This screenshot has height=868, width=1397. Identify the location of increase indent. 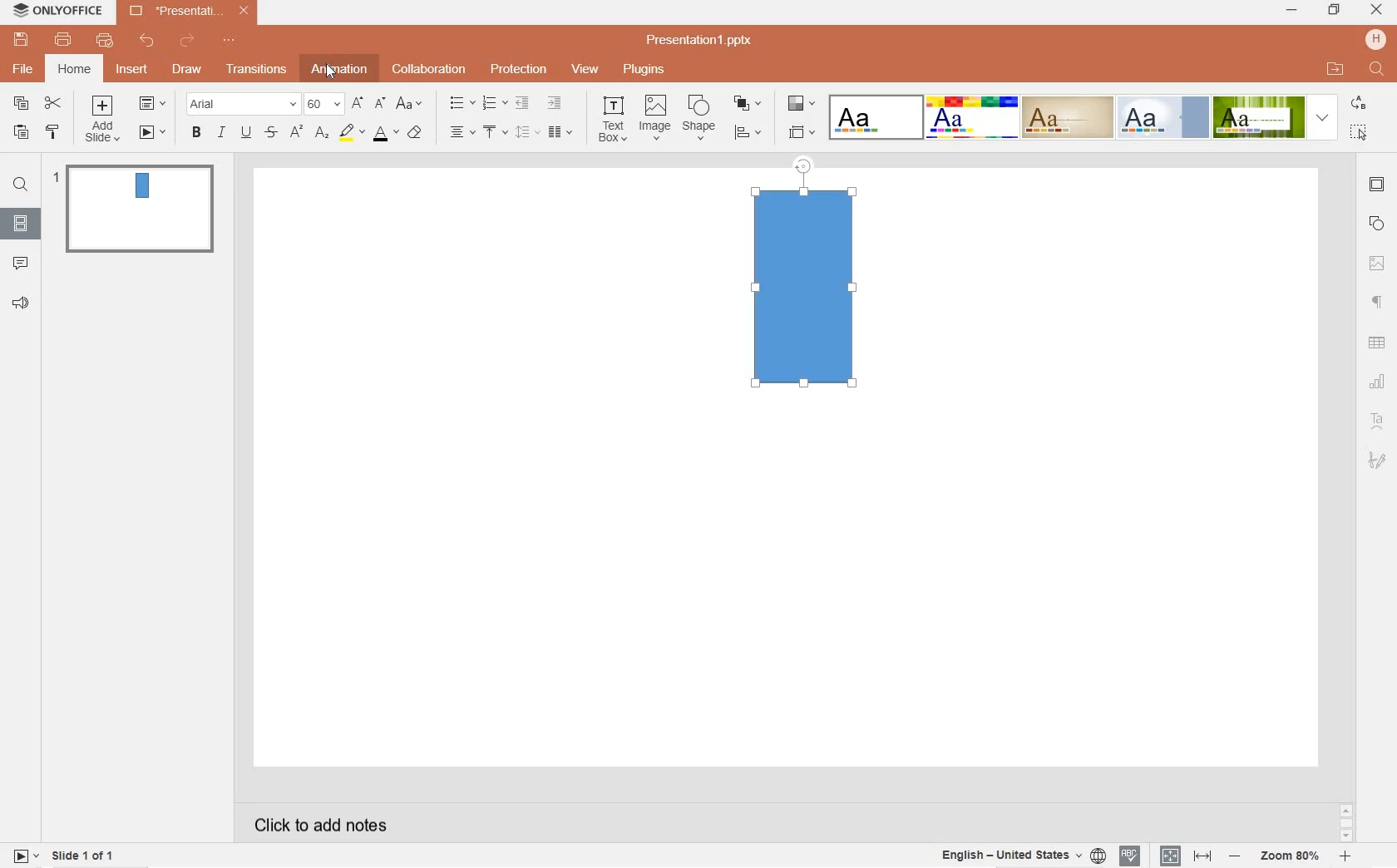
(555, 104).